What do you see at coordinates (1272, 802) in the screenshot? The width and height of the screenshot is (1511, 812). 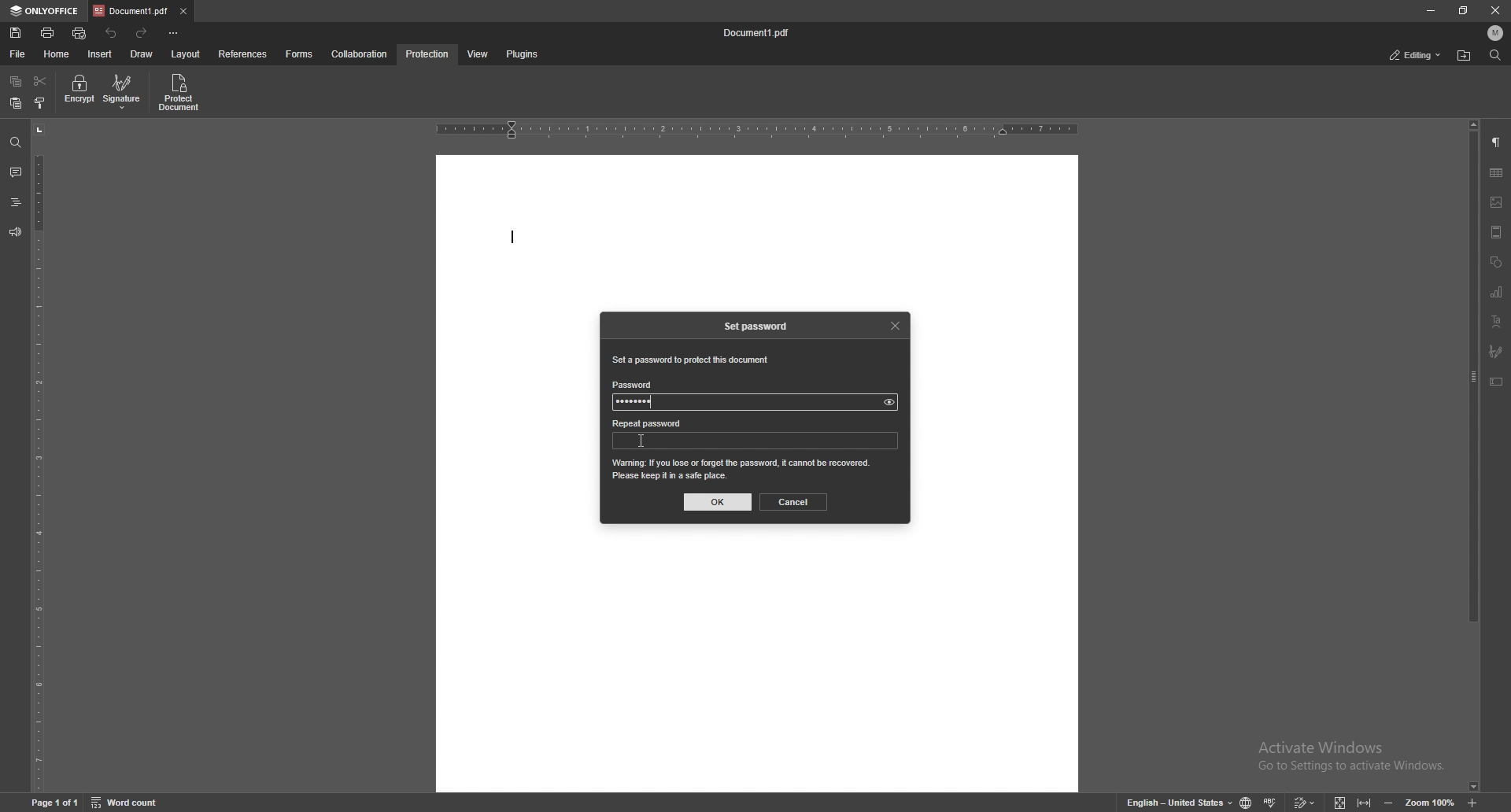 I see `spell check` at bounding box center [1272, 802].